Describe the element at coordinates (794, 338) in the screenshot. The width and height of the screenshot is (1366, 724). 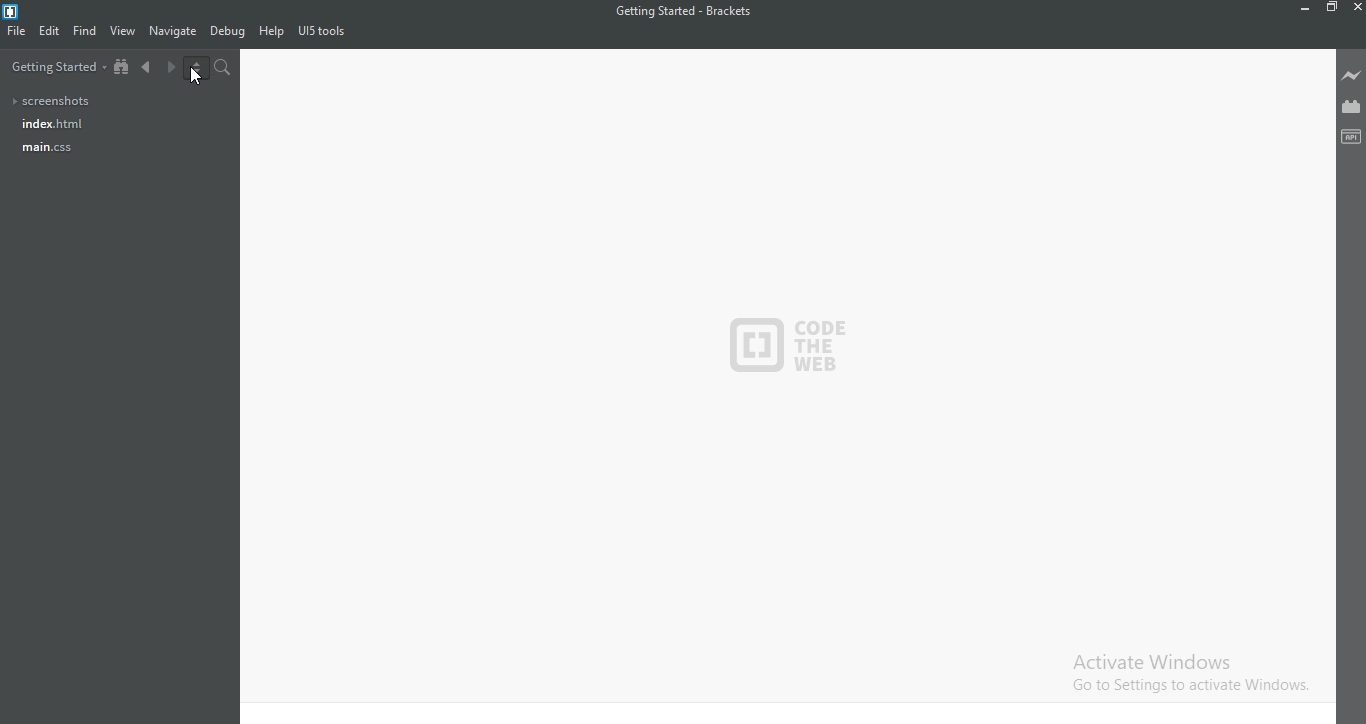
I see `CODE THE WEB` at that location.